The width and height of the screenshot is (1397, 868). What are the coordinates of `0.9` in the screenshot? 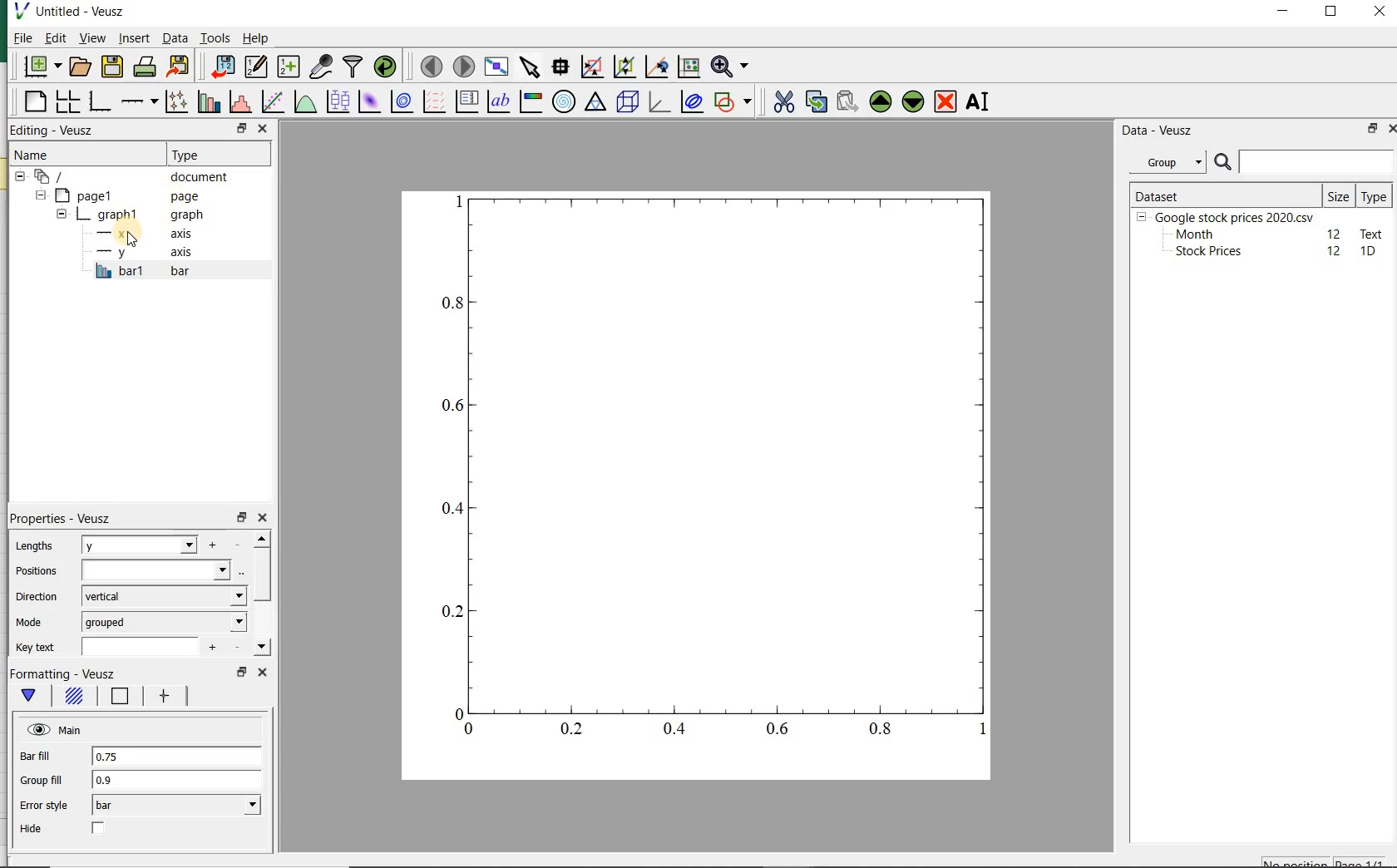 It's located at (174, 783).